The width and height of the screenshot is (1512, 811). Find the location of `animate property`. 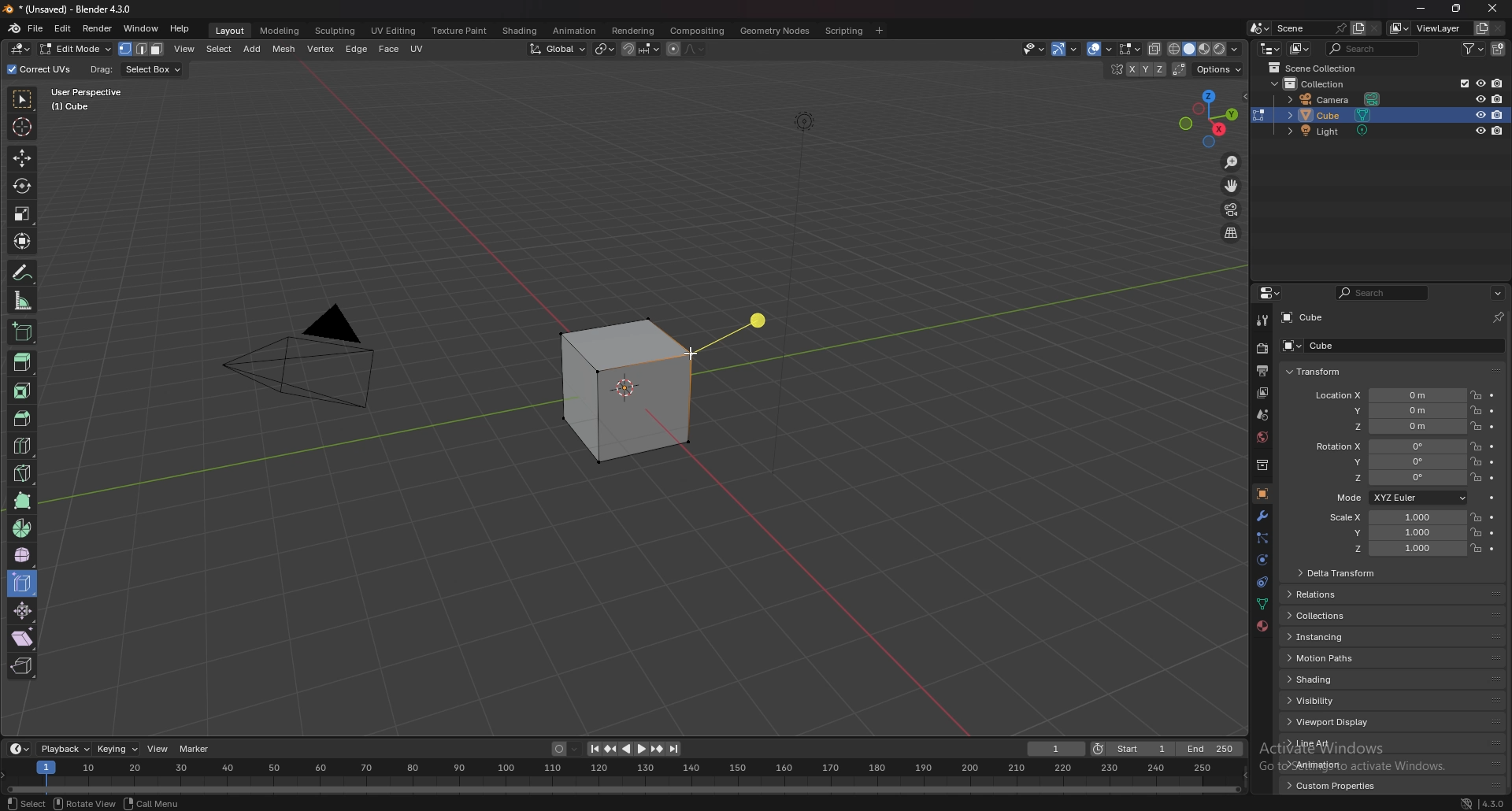

animate property is located at coordinates (1492, 427).